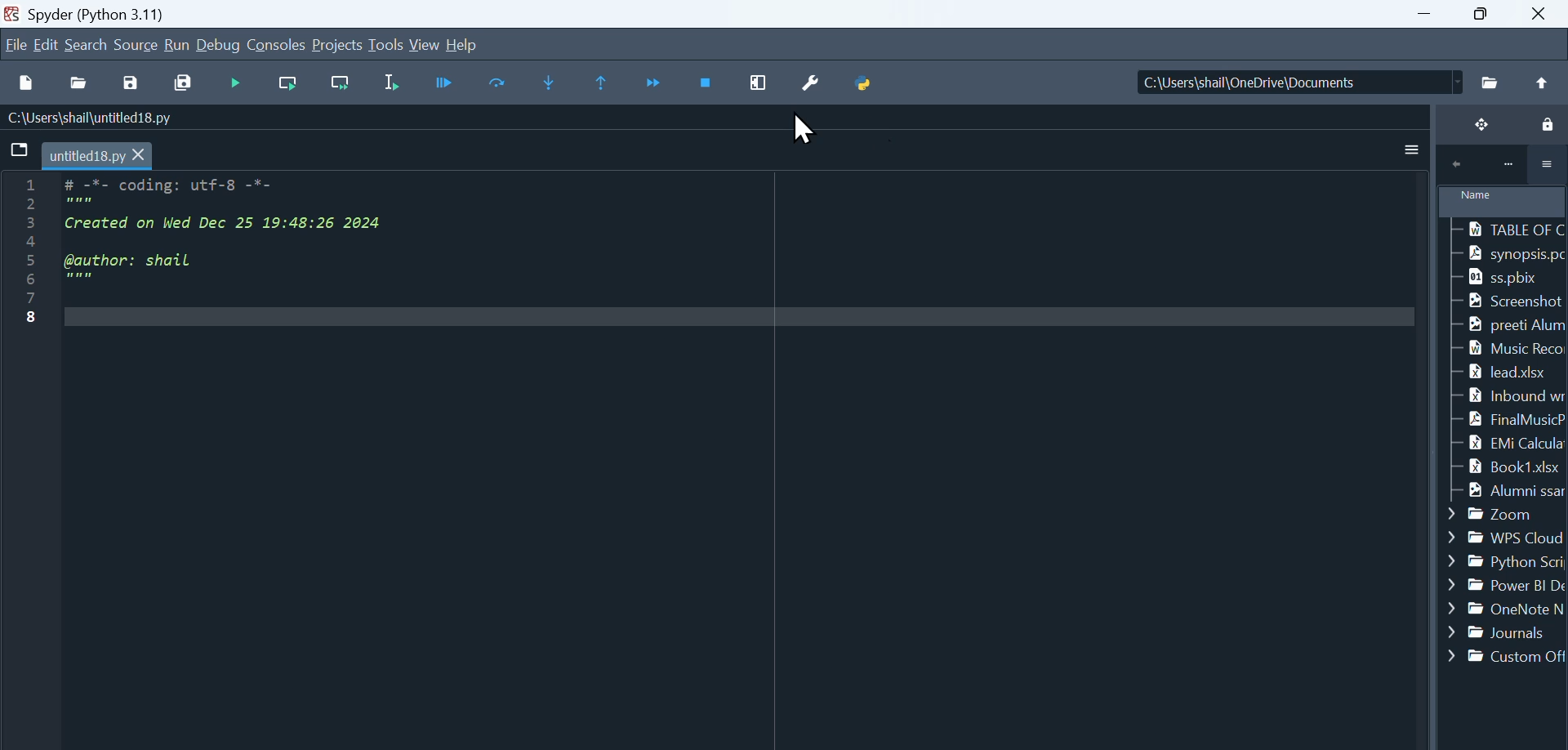 The image size is (1568, 750). What do you see at coordinates (1544, 127) in the screenshot?
I see `lock` at bounding box center [1544, 127].